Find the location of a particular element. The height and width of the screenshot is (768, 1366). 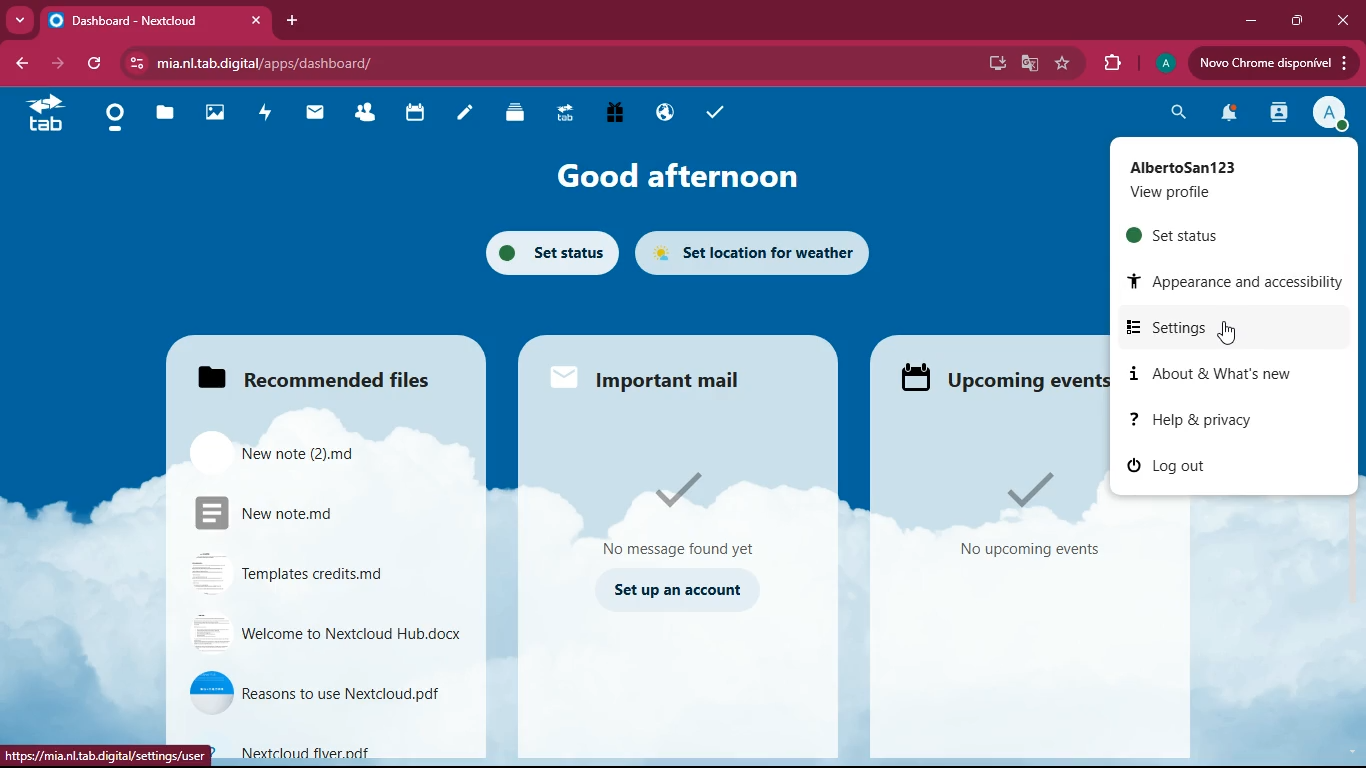

extension is located at coordinates (1107, 64).